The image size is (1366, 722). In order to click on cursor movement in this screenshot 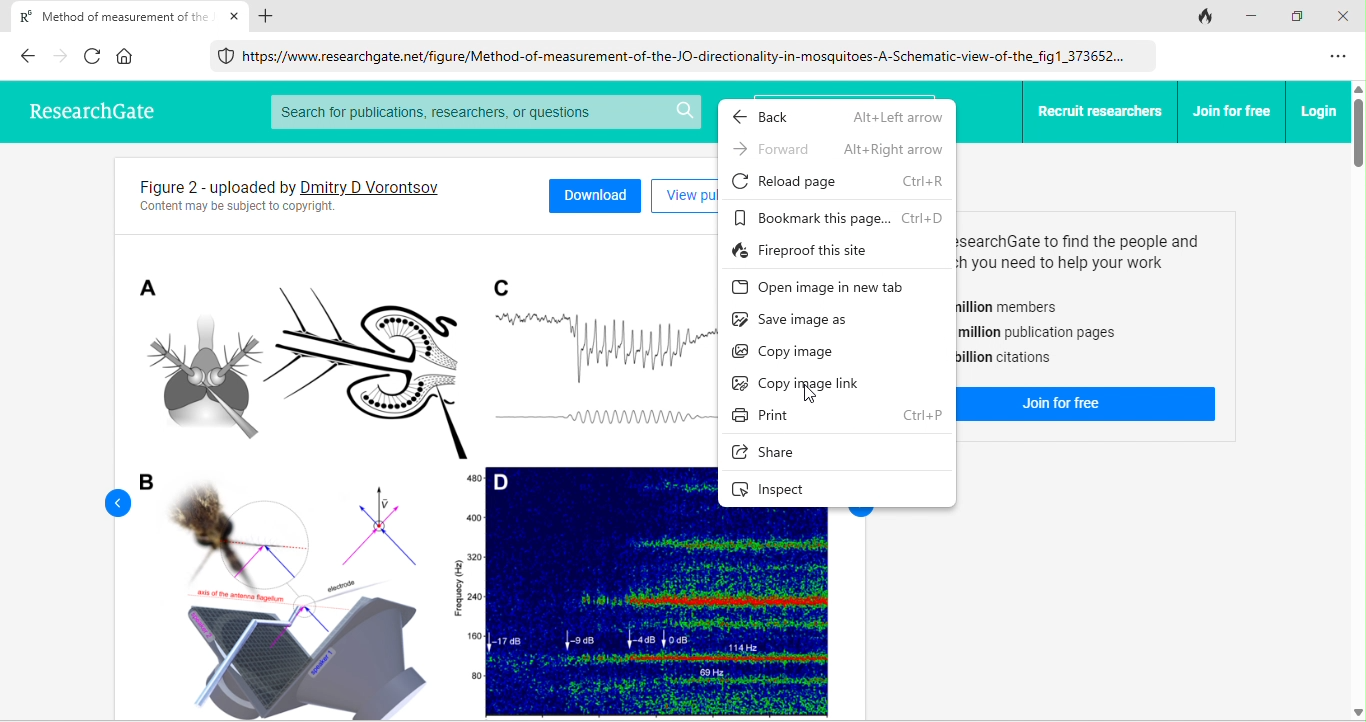, I will do `click(807, 392)`.